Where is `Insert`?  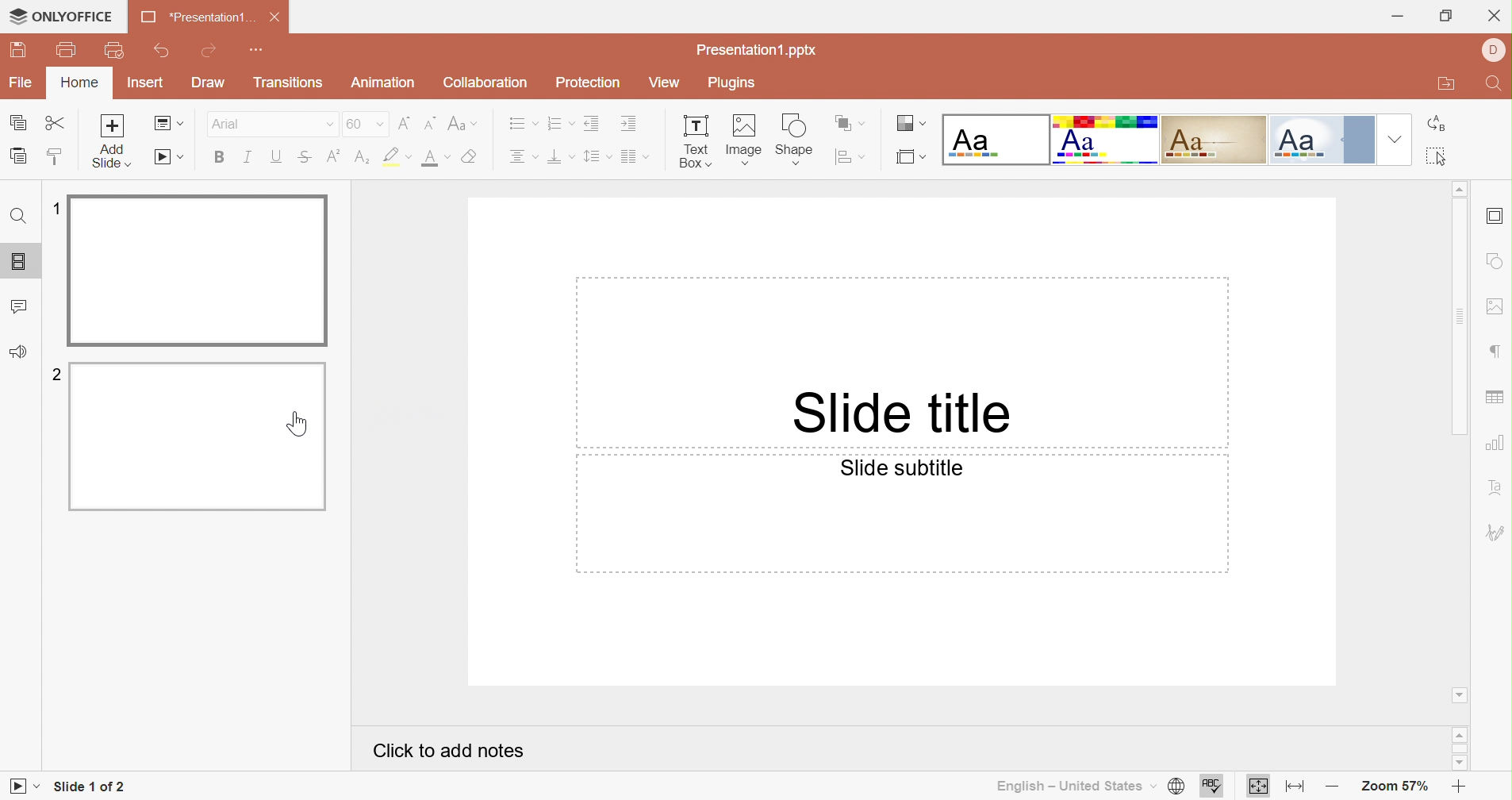 Insert is located at coordinates (141, 83).